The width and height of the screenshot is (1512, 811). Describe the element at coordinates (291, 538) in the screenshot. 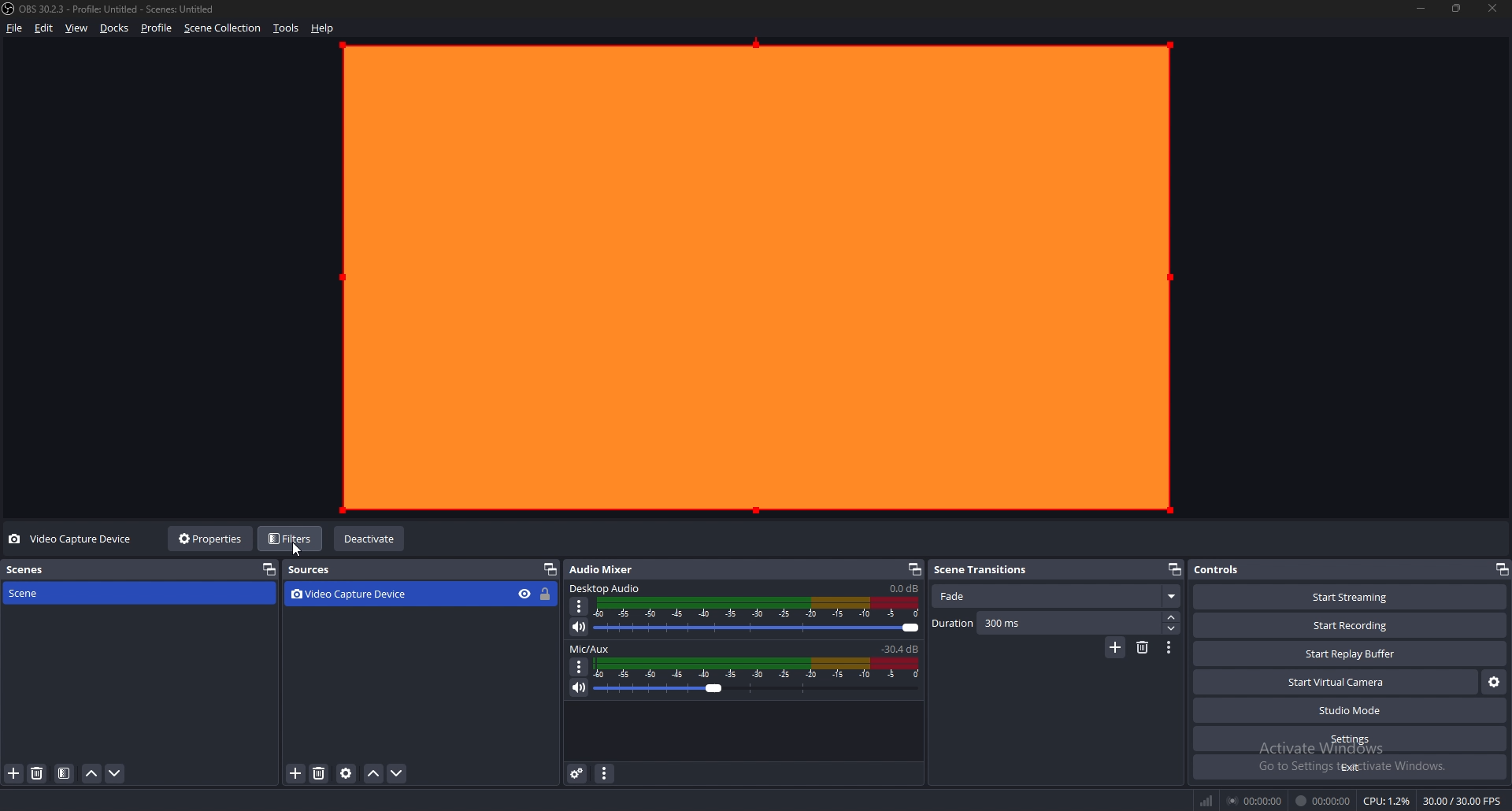

I see `filters` at that location.